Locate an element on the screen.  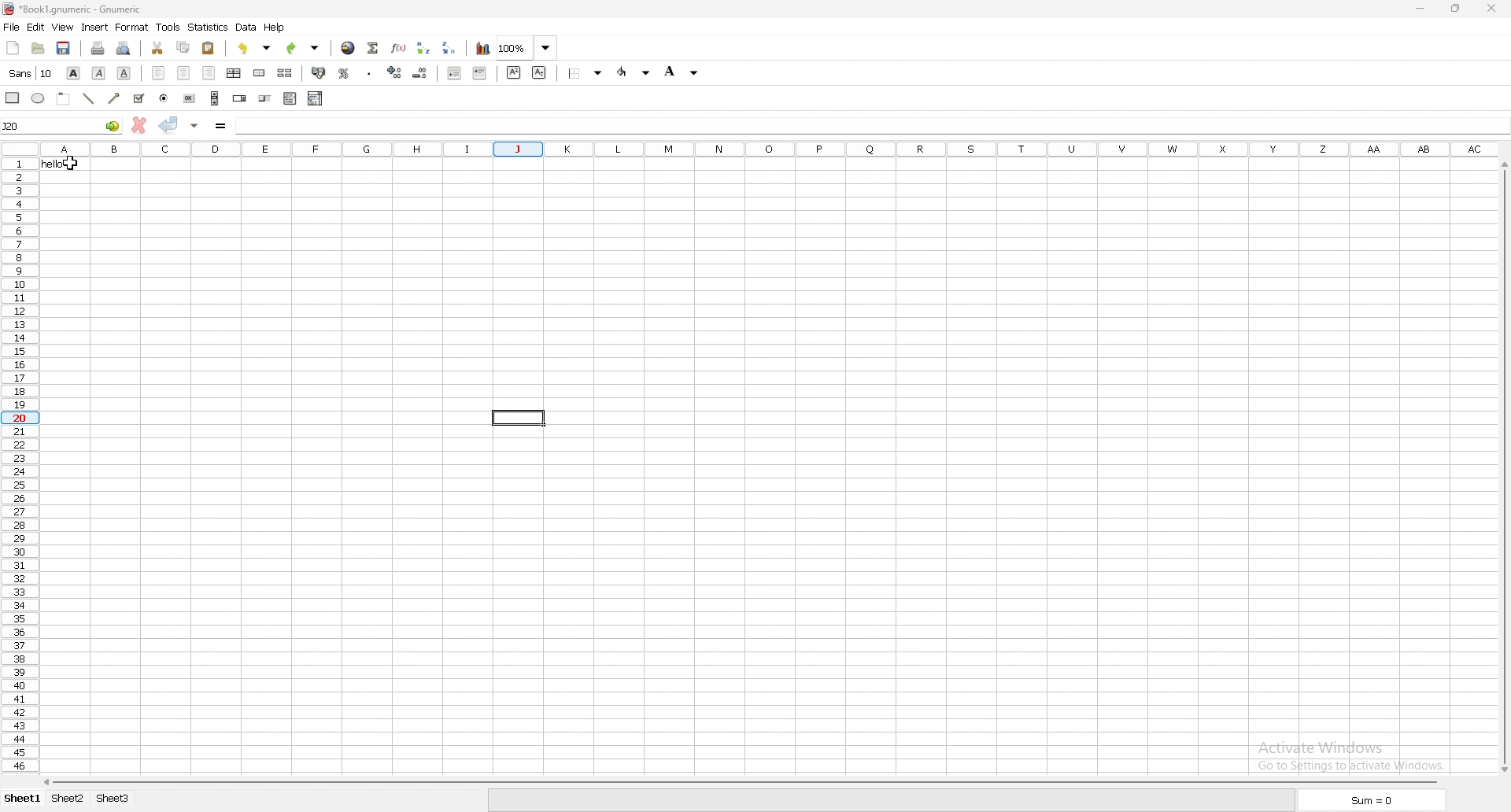
new is located at coordinates (13, 46).